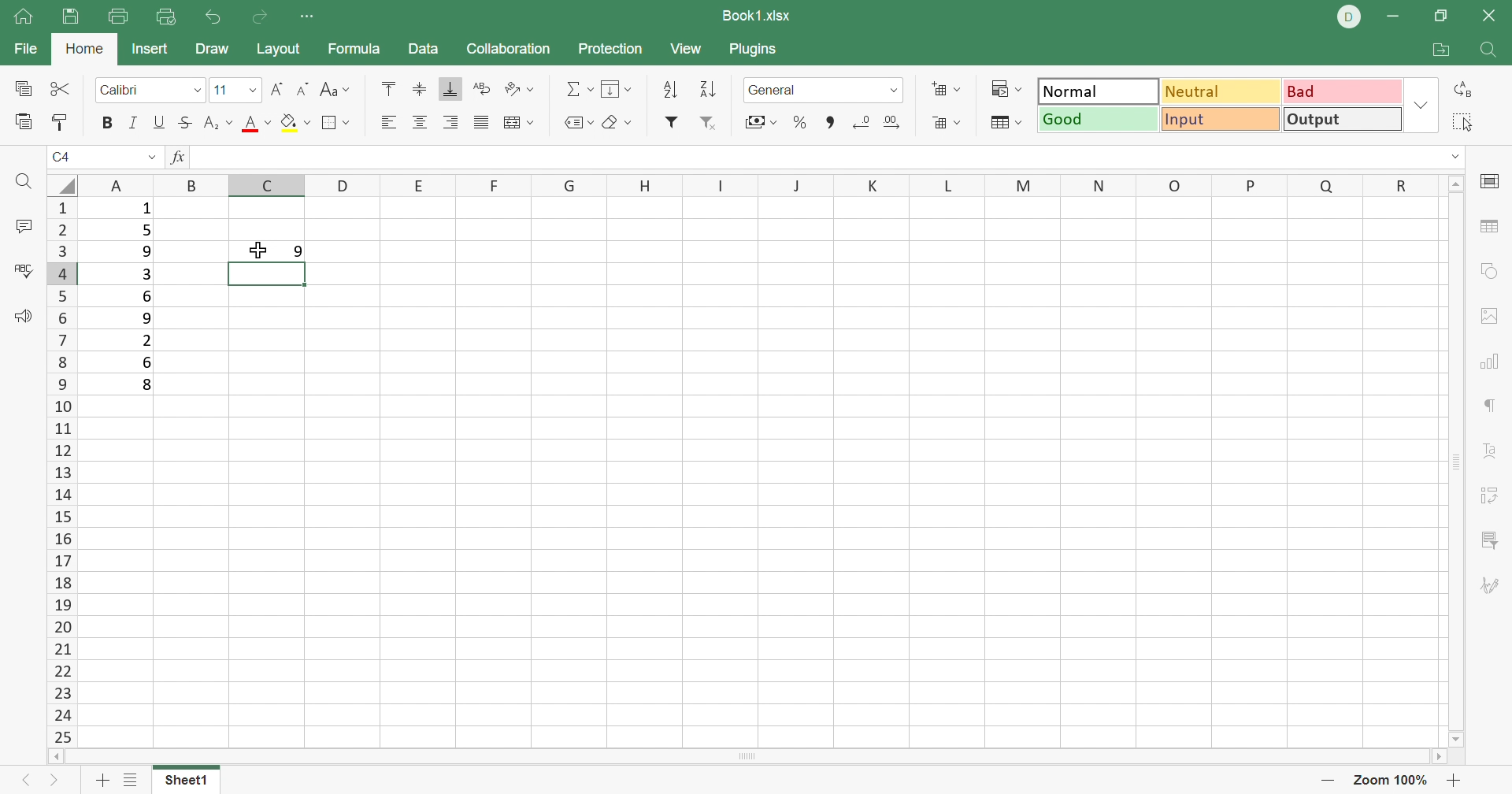 The height and width of the screenshot is (794, 1512). What do you see at coordinates (1099, 92) in the screenshot?
I see `Normal` at bounding box center [1099, 92].